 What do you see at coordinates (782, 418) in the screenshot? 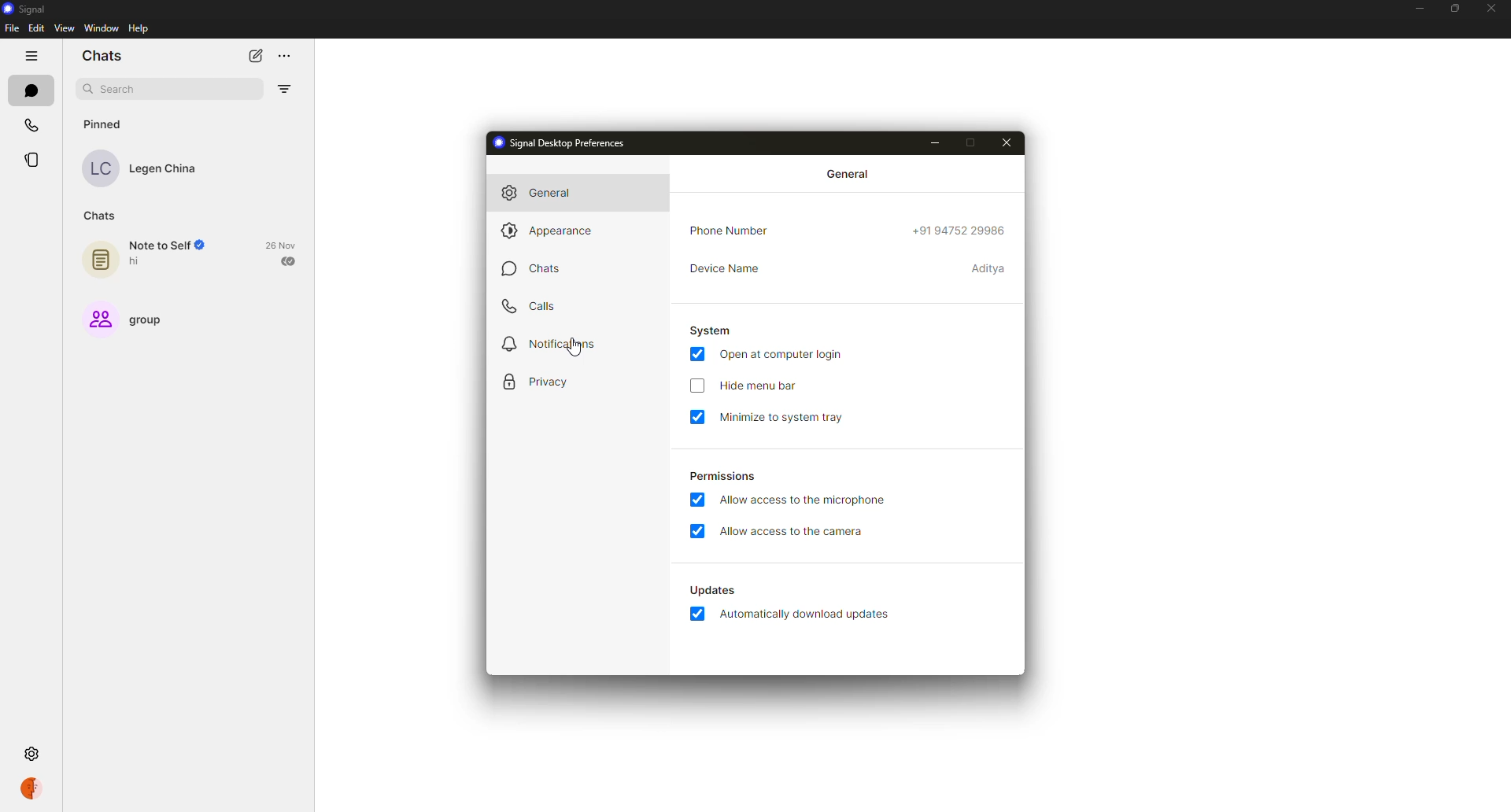
I see `minimize to system tray` at bounding box center [782, 418].